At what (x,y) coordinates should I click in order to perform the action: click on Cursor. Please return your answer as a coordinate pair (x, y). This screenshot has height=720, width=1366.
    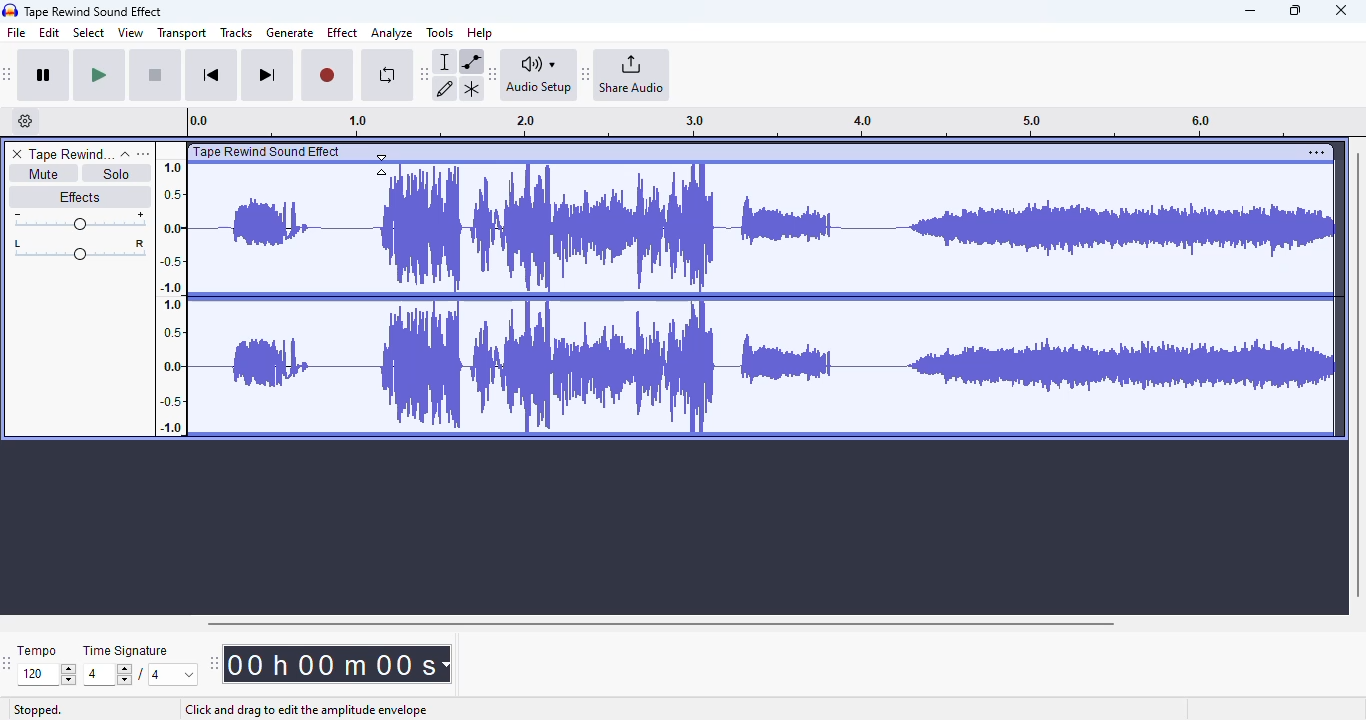
    Looking at the image, I should click on (382, 165).